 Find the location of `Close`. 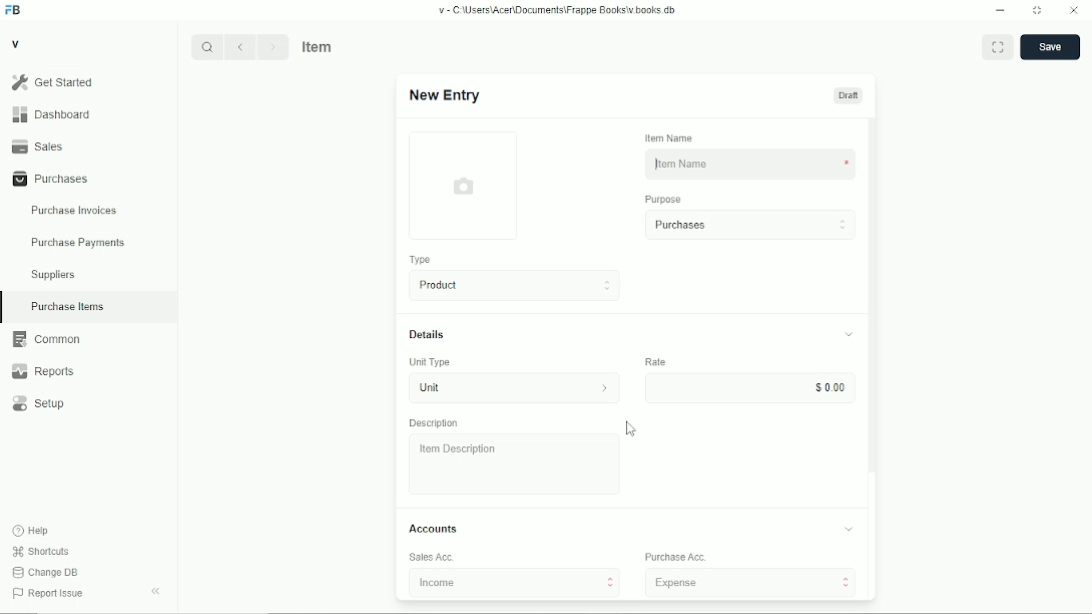

Close is located at coordinates (1074, 9).